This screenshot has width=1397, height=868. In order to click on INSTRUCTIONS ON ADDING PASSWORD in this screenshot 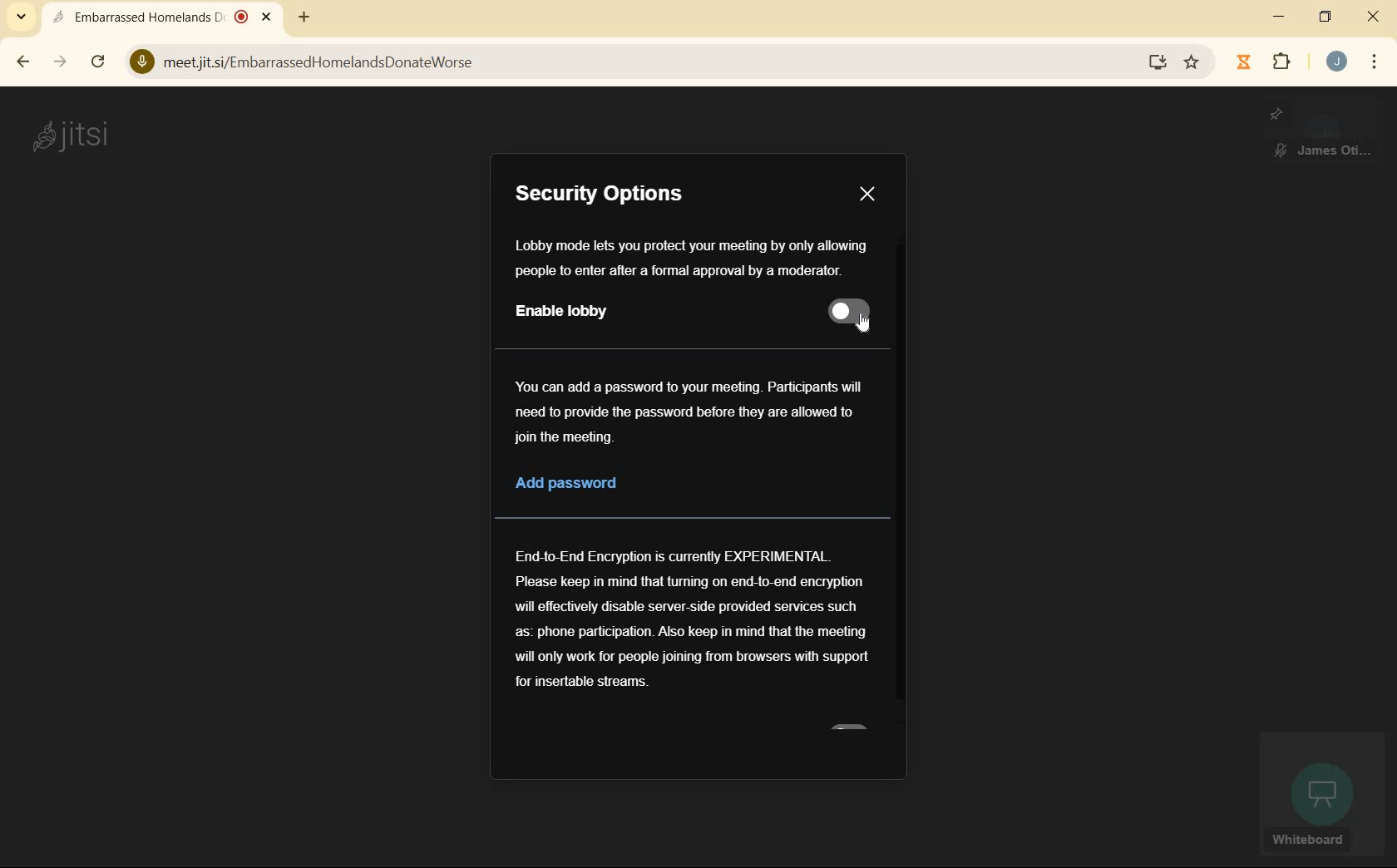, I will do `click(689, 410)`.